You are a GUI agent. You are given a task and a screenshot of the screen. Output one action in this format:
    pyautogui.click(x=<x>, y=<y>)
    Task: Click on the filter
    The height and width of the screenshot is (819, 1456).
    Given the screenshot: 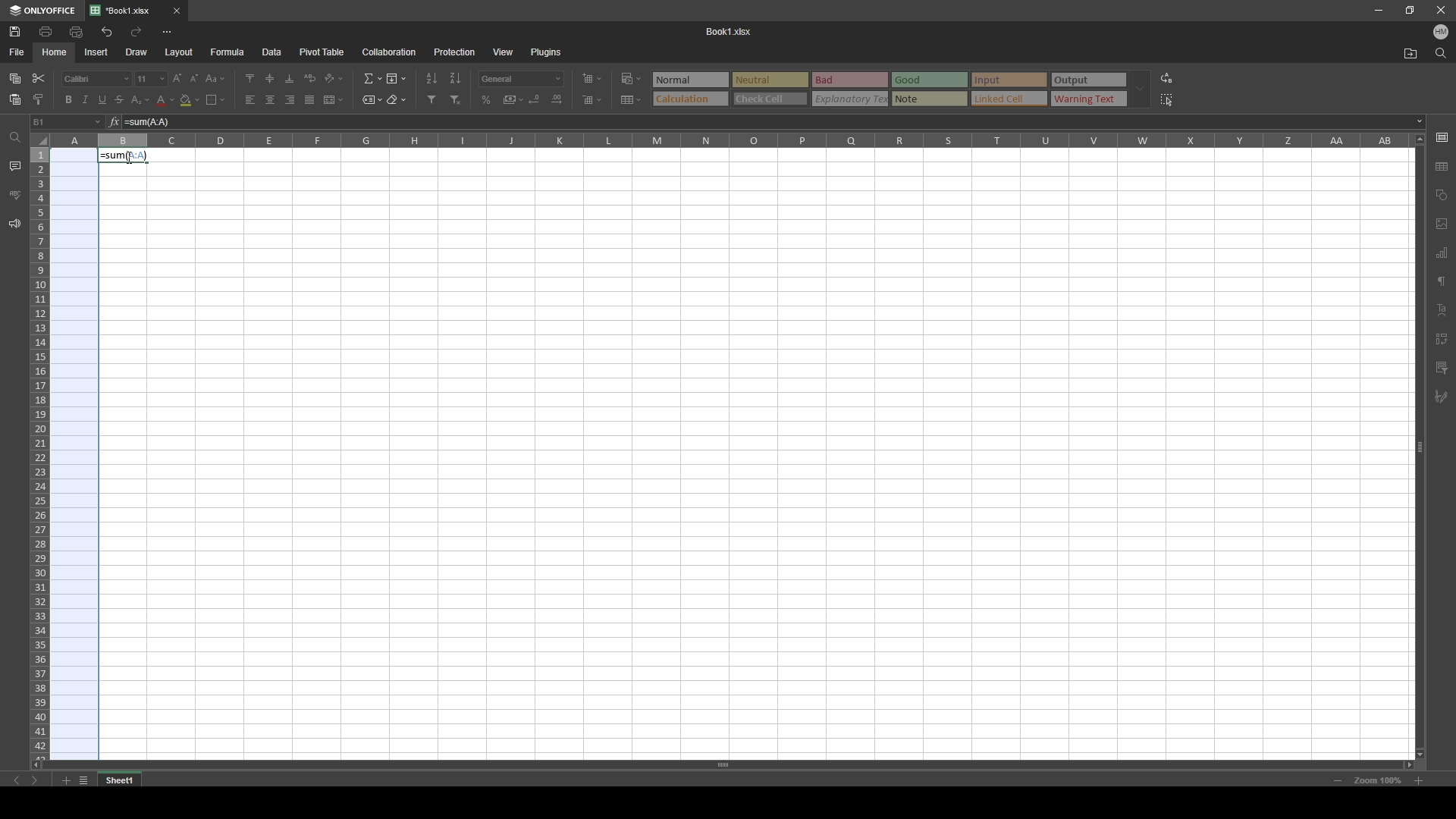 What is the action you would take?
    pyautogui.click(x=1442, y=368)
    